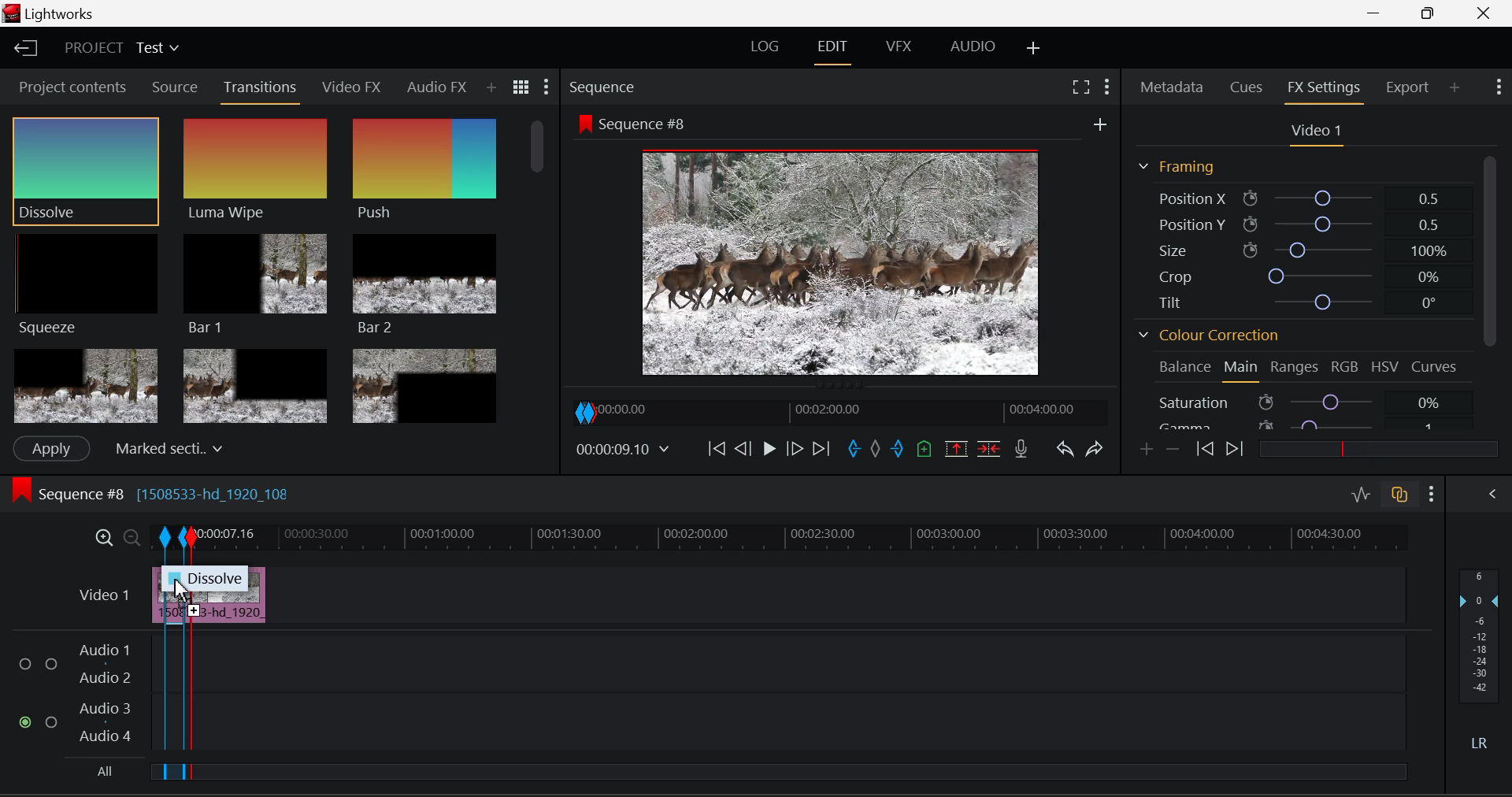  What do you see at coordinates (822, 451) in the screenshot?
I see `To End` at bounding box center [822, 451].